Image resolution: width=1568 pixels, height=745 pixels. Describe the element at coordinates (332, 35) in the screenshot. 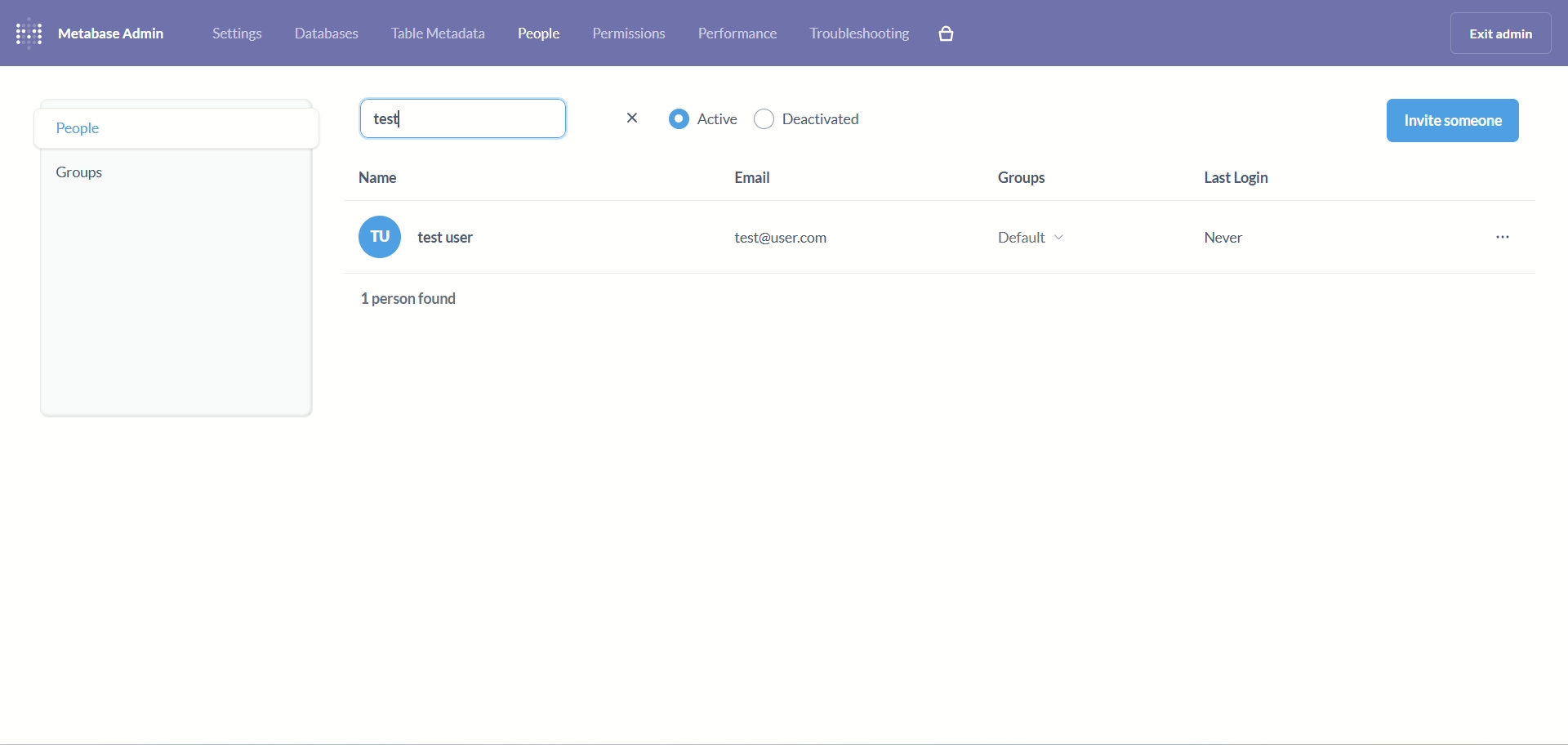

I see `databases` at that location.